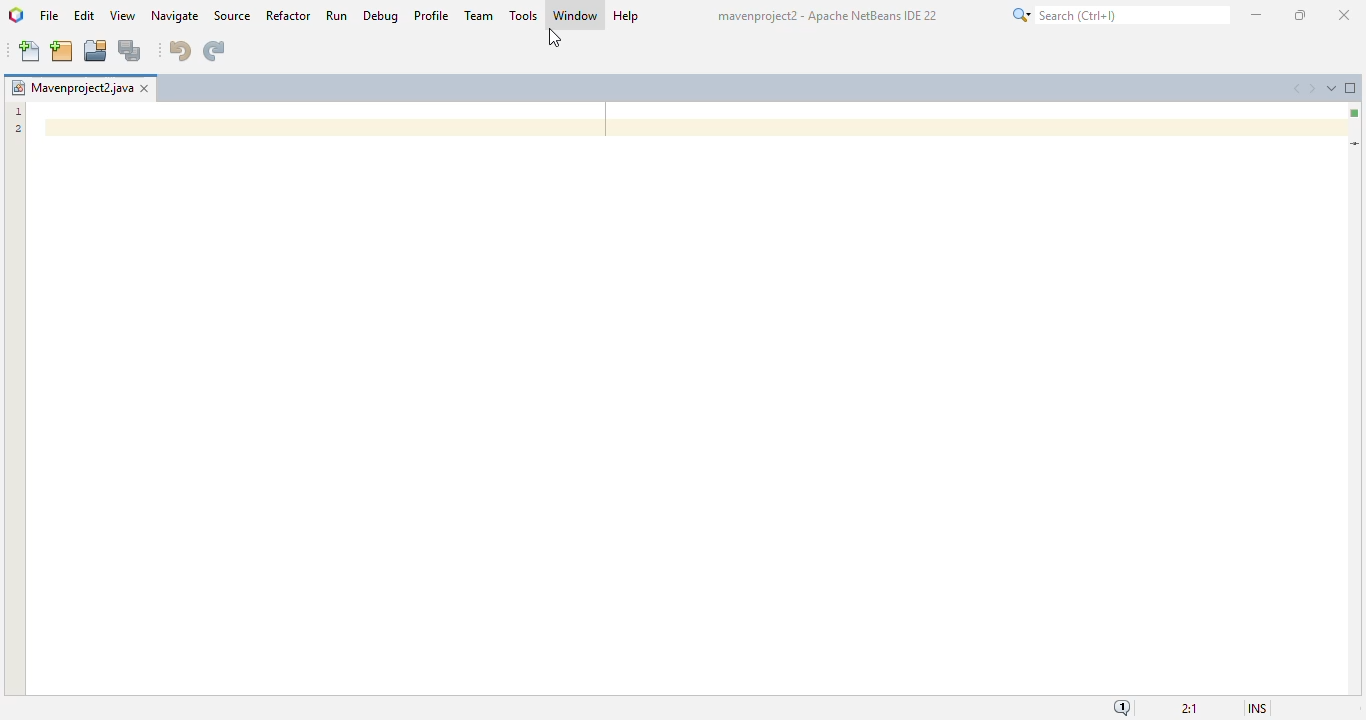  What do you see at coordinates (1257, 15) in the screenshot?
I see `minimize` at bounding box center [1257, 15].